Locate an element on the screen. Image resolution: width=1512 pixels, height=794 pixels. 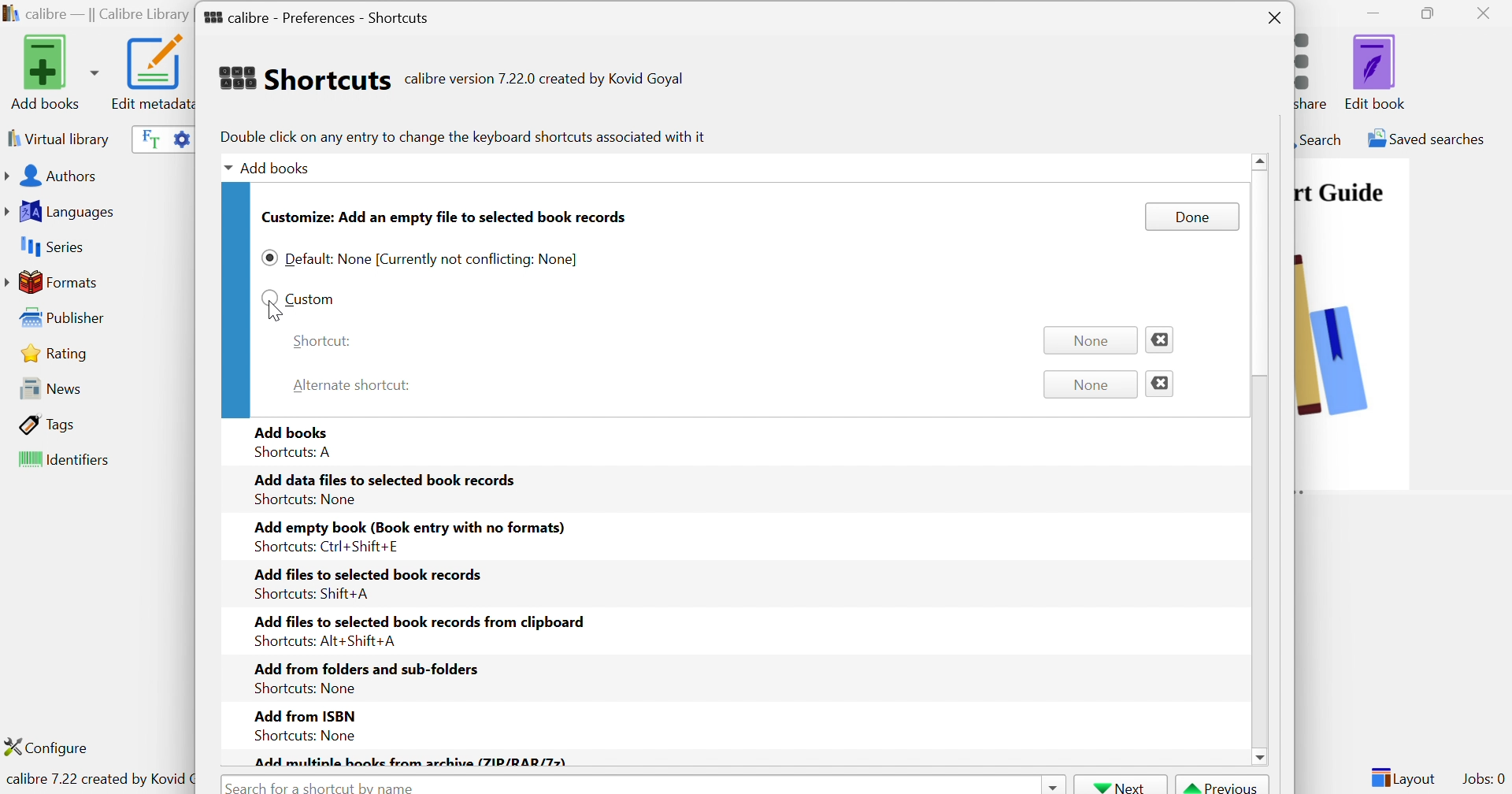
Scroll Bar is located at coordinates (1261, 297).